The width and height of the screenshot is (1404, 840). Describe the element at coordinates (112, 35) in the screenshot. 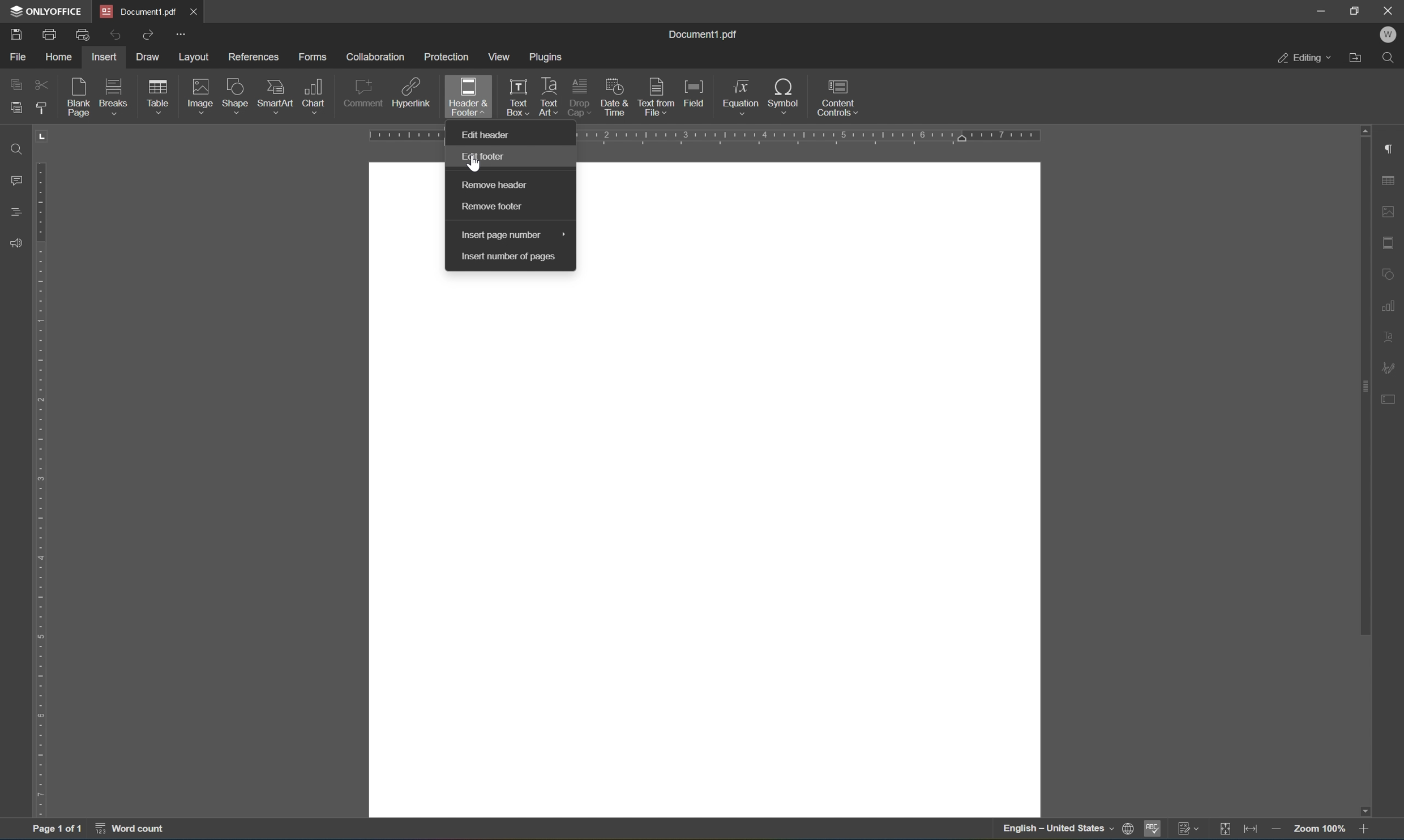

I see `undo` at that location.